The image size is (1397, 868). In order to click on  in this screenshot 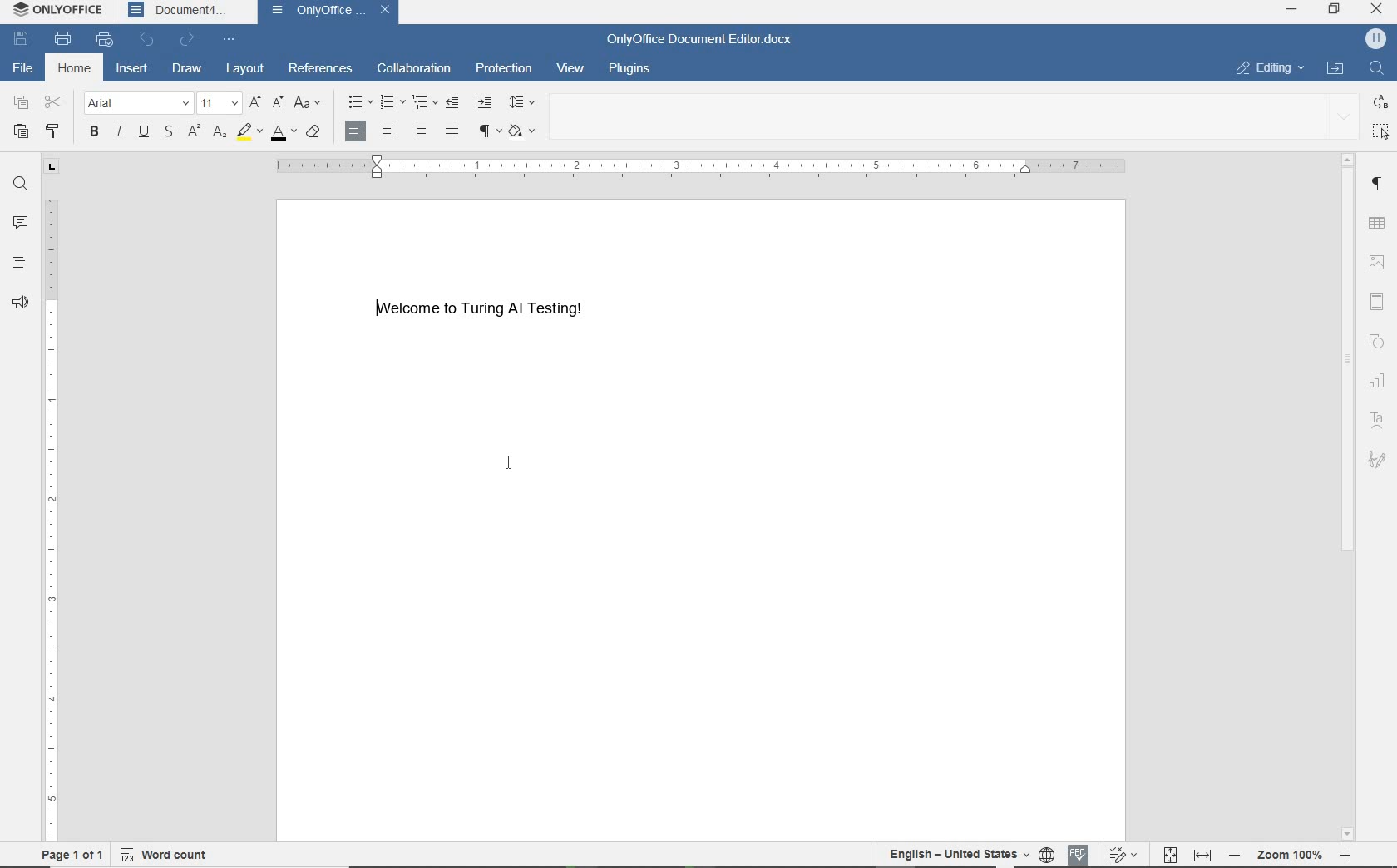, I will do `click(1380, 303)`.